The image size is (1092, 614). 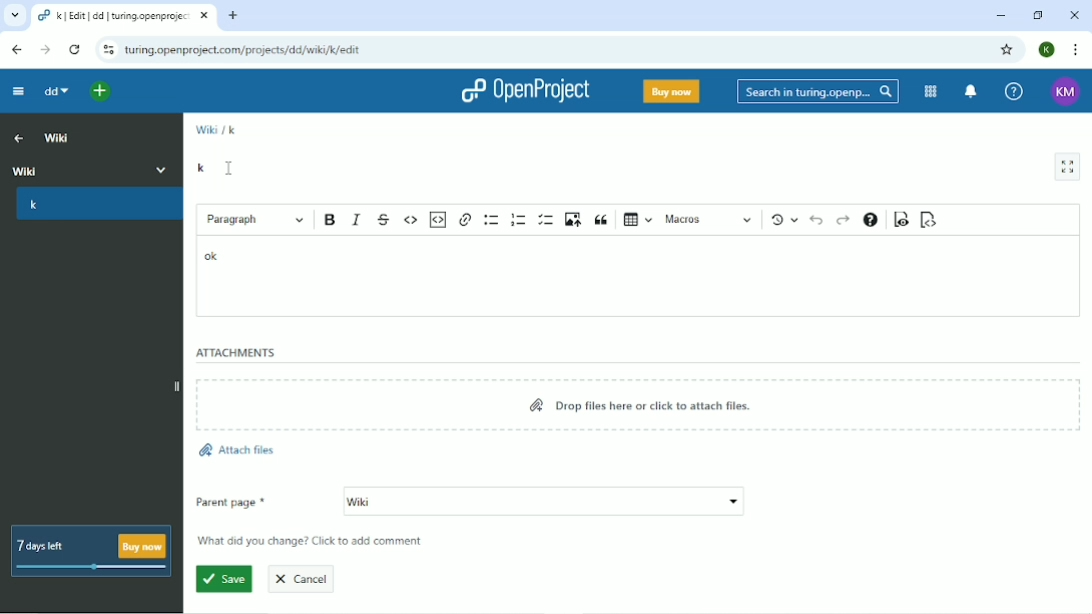 I want to click on ok, so click(x=213, y=256).